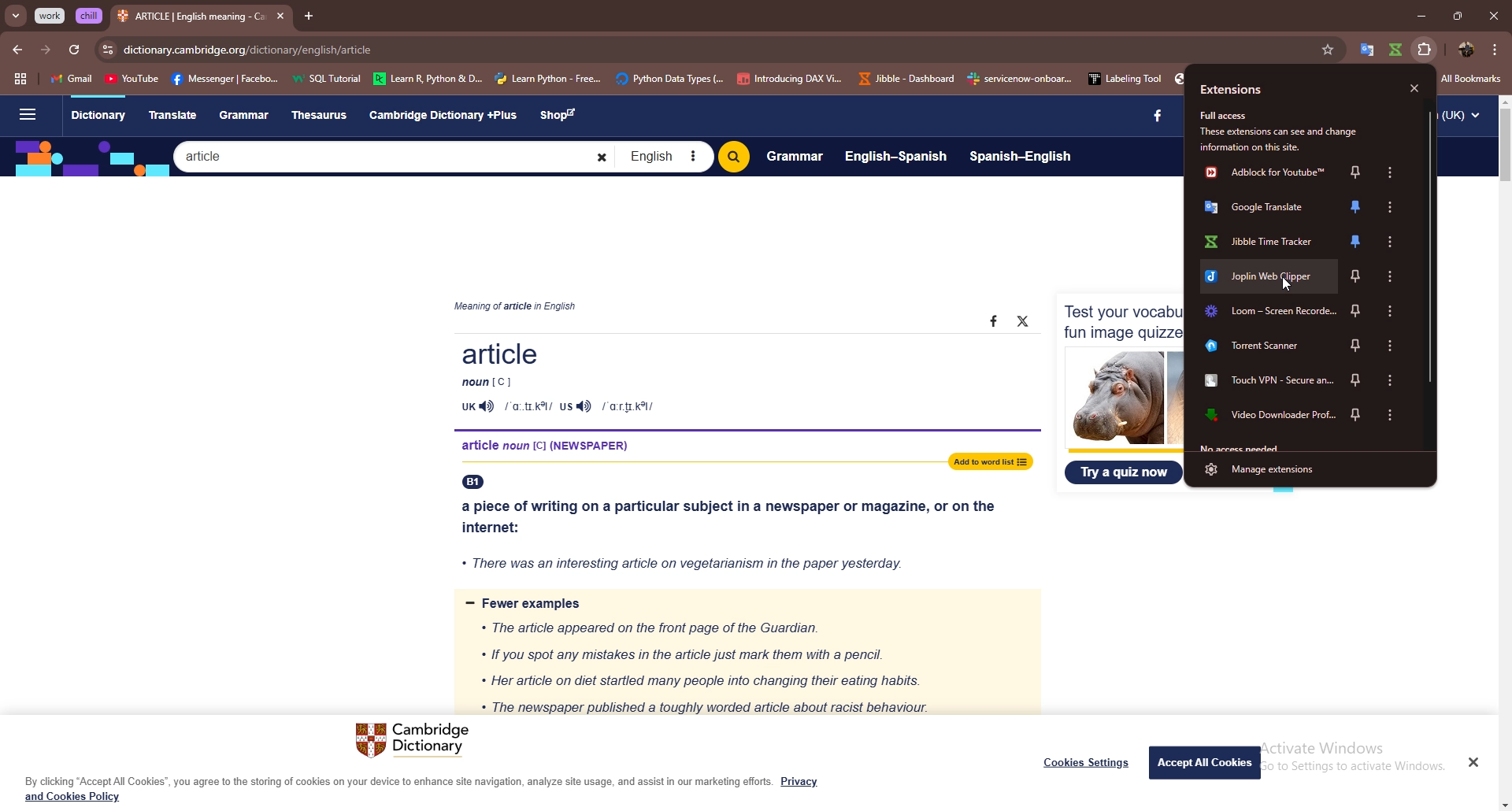  What do you see at coordinates (1391, 346) in the screenshot?
I see `option` at bounding box center [1391, 346].